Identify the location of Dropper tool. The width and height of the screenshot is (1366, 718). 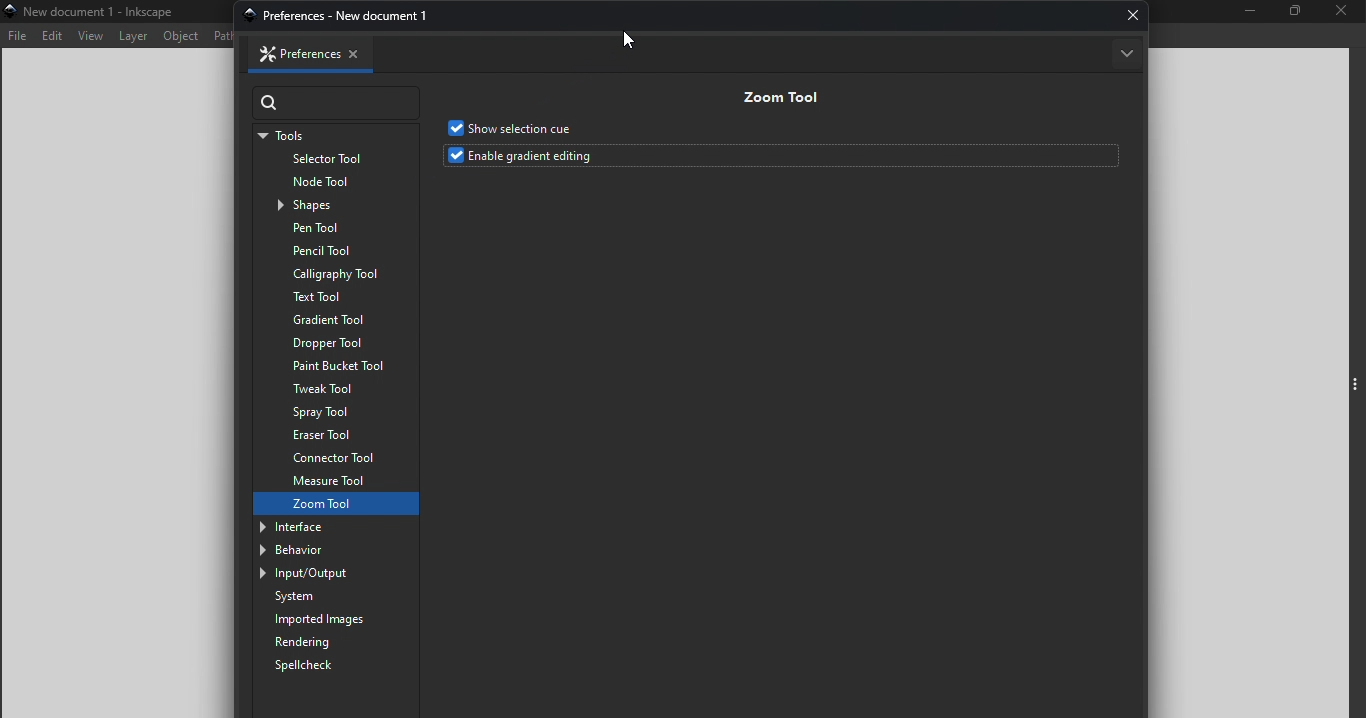
(337, 341).